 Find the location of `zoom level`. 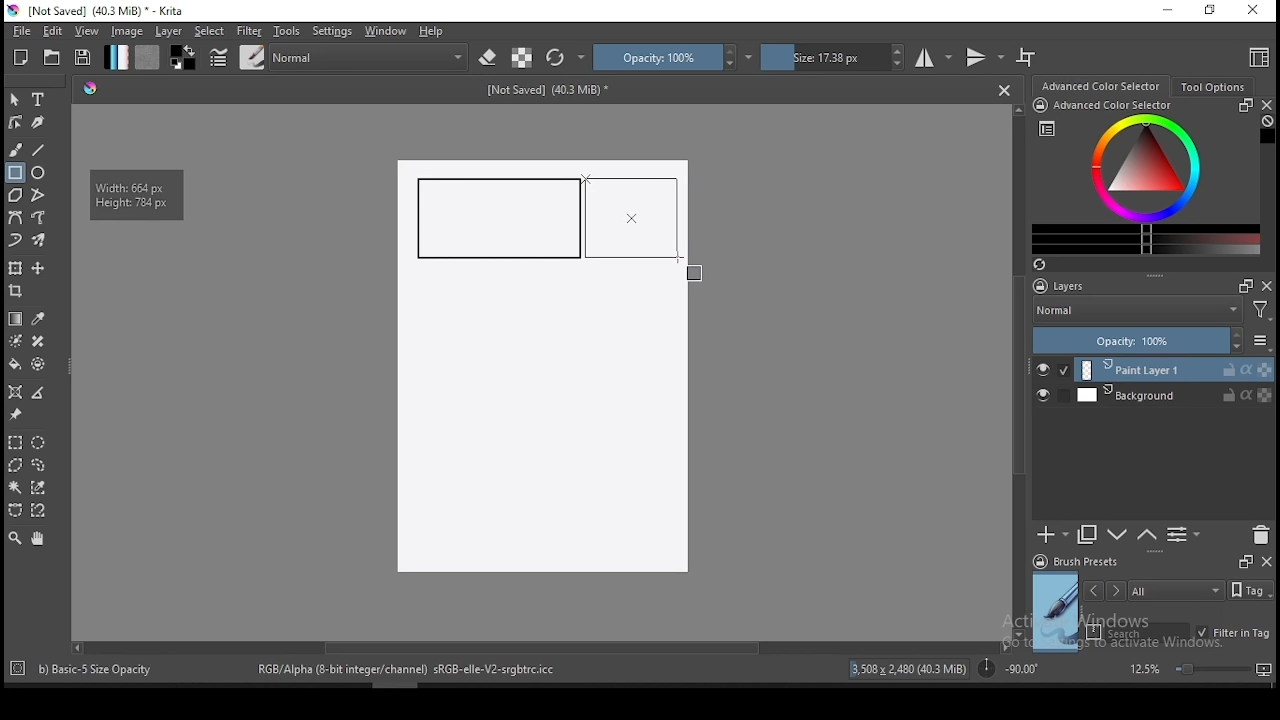

zoom level is located at coordinates (1200, 668).